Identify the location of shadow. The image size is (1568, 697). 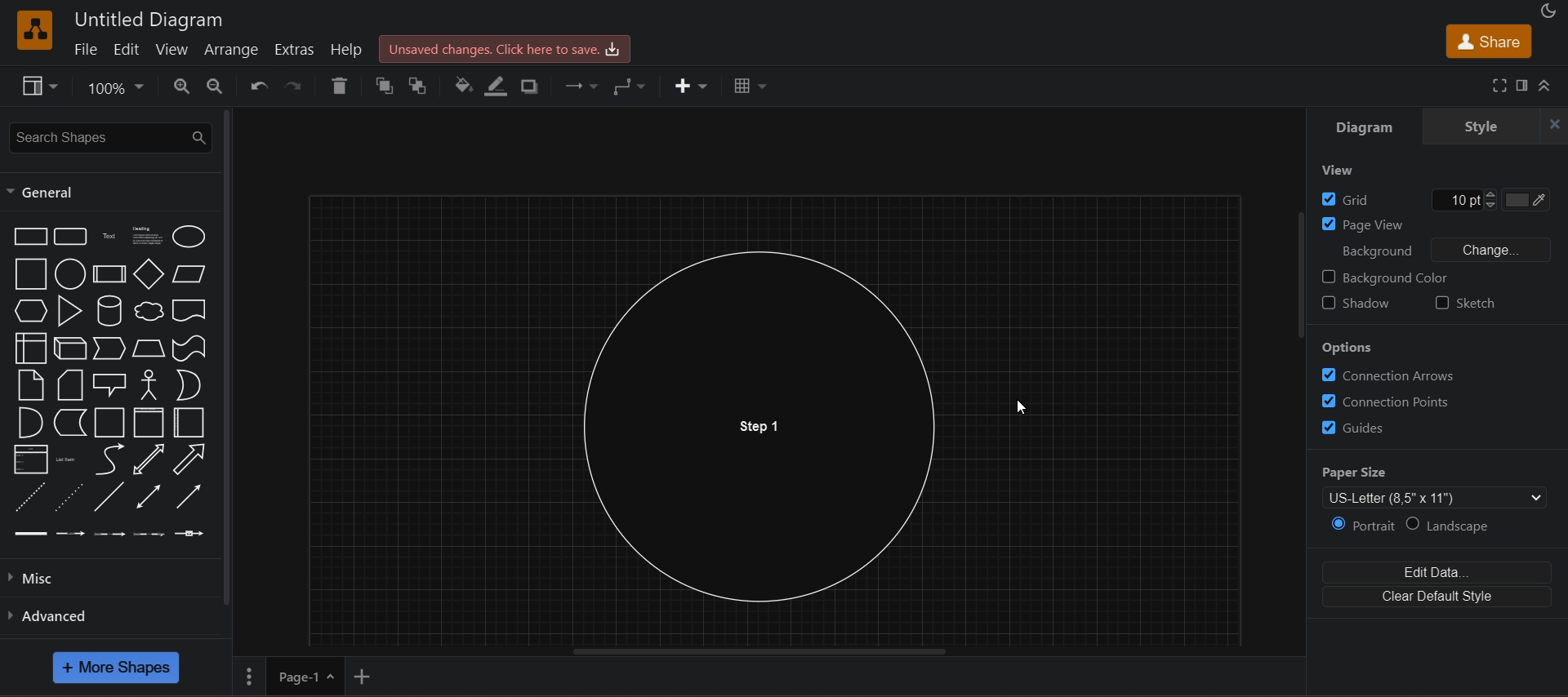
(535, 86).